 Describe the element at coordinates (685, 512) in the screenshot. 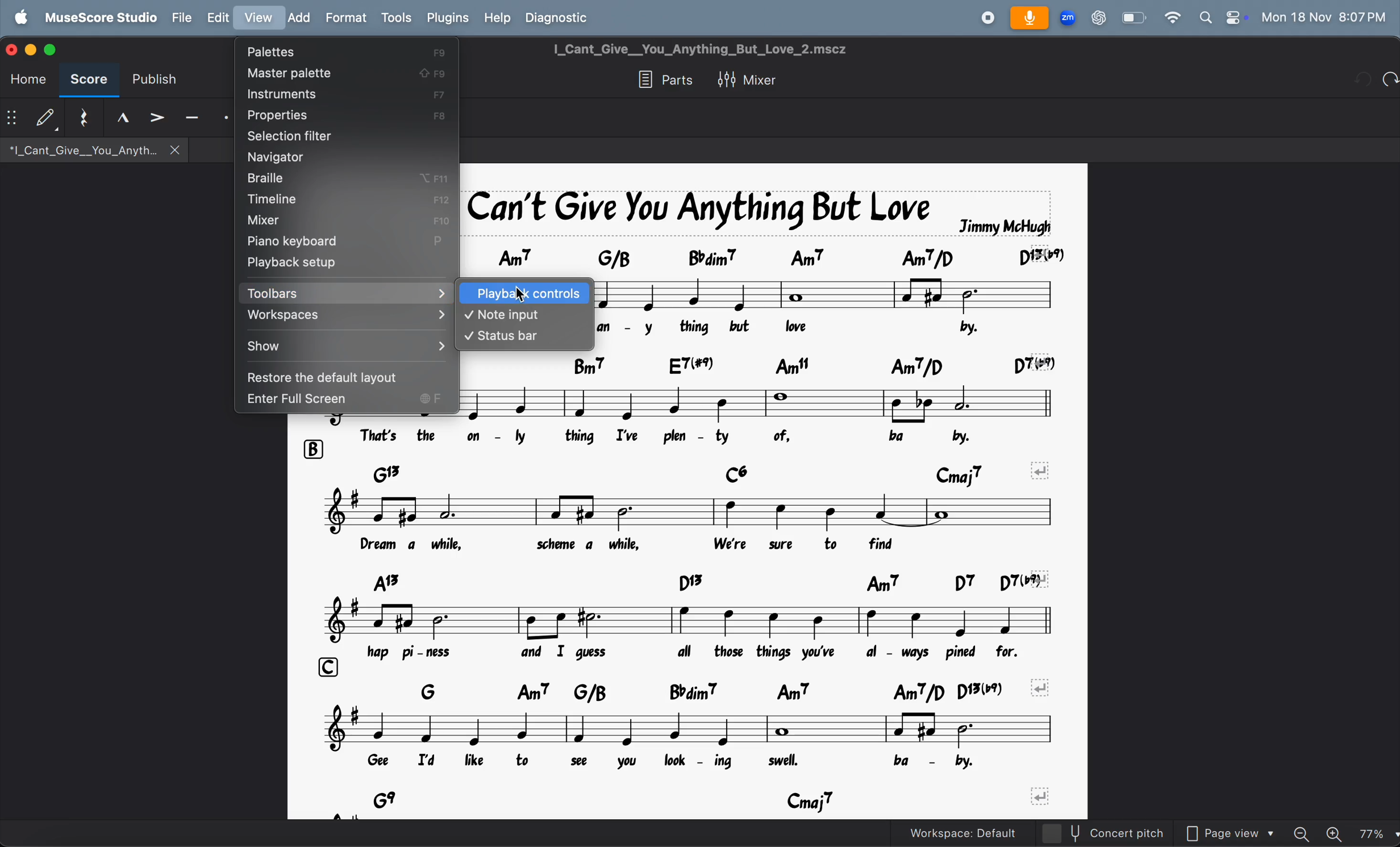

I see `notes` at that location.